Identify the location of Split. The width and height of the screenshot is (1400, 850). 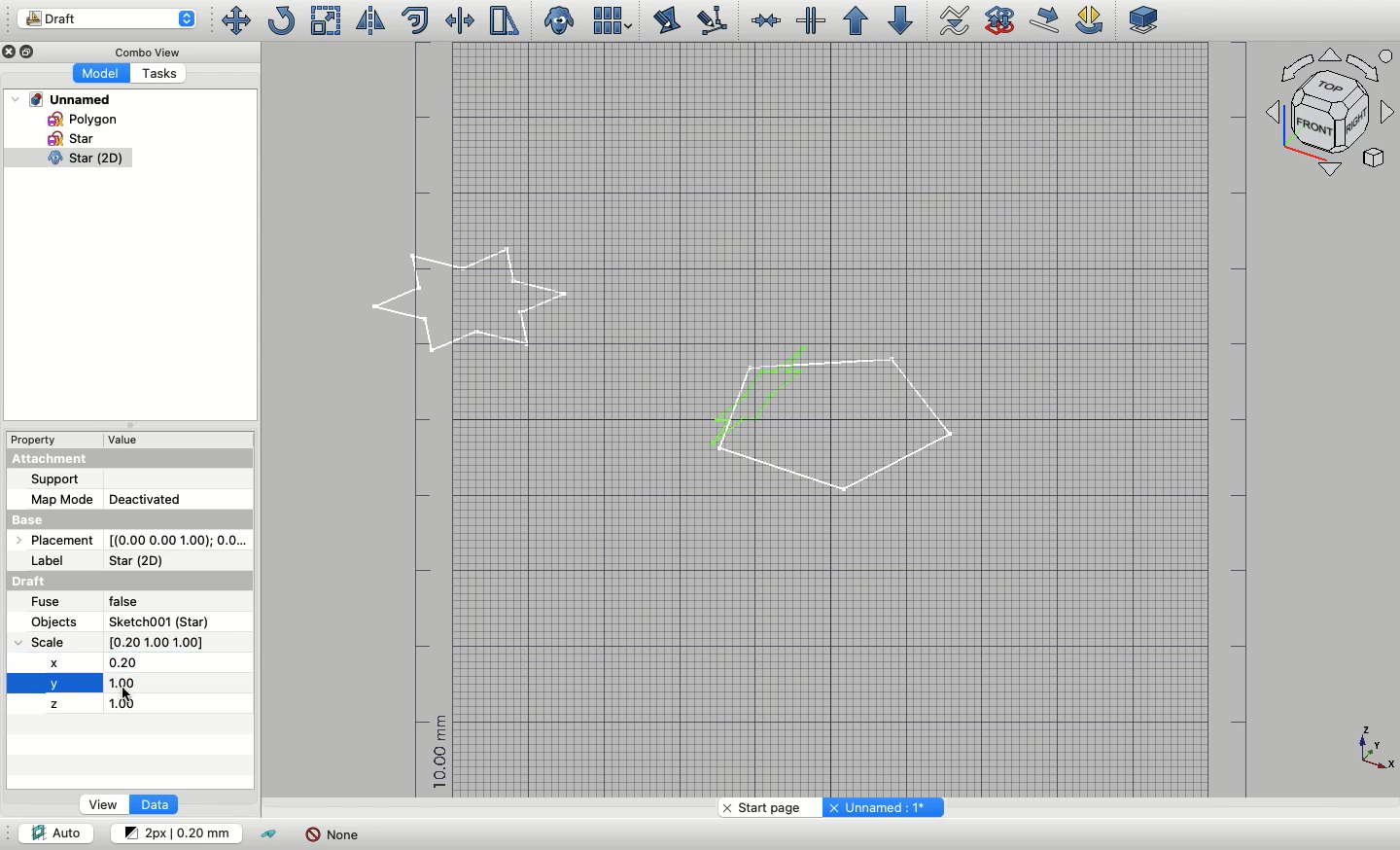
(810, 20).